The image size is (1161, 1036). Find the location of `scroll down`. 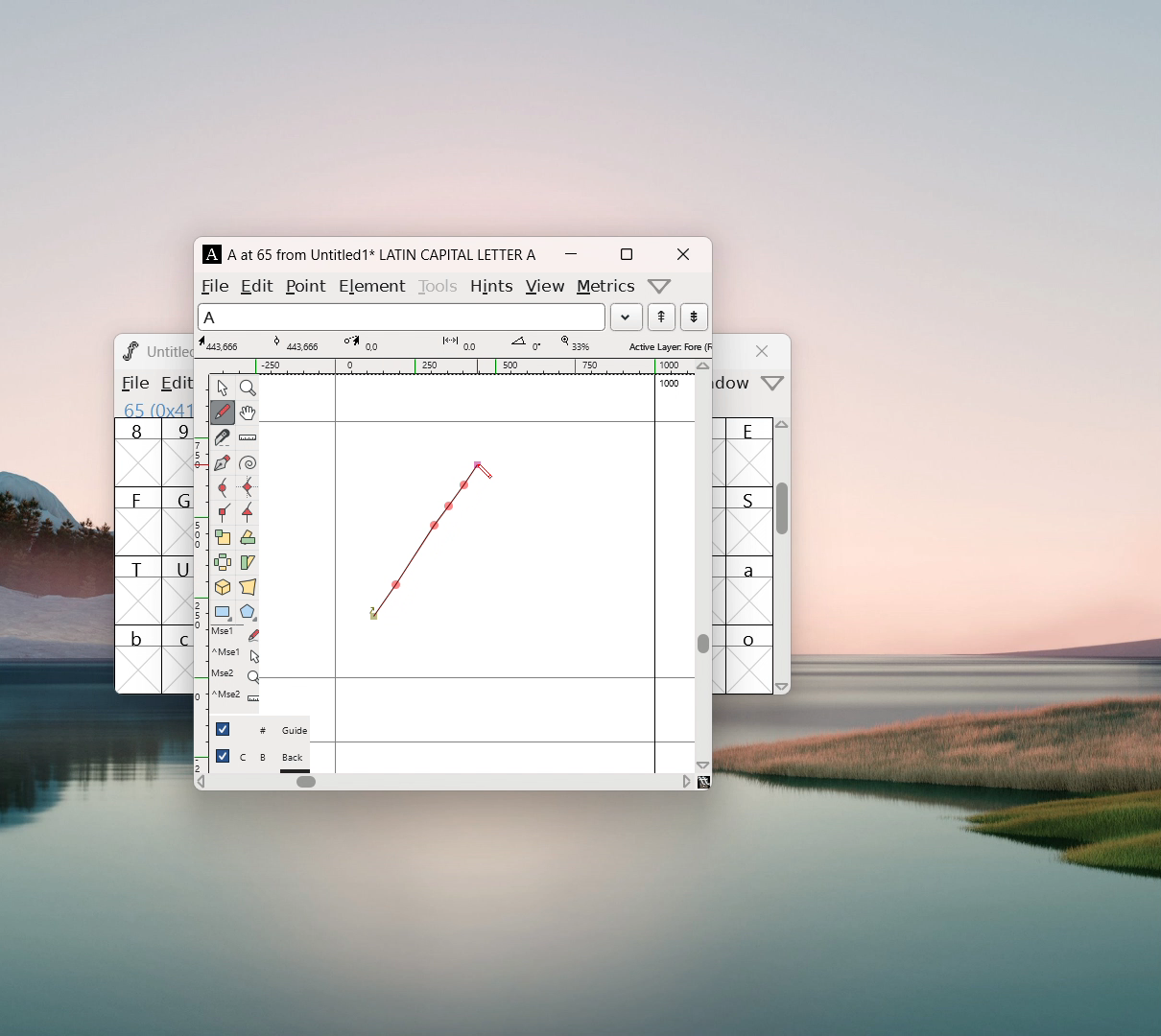

scroll down is located at coordinates (783, 686).